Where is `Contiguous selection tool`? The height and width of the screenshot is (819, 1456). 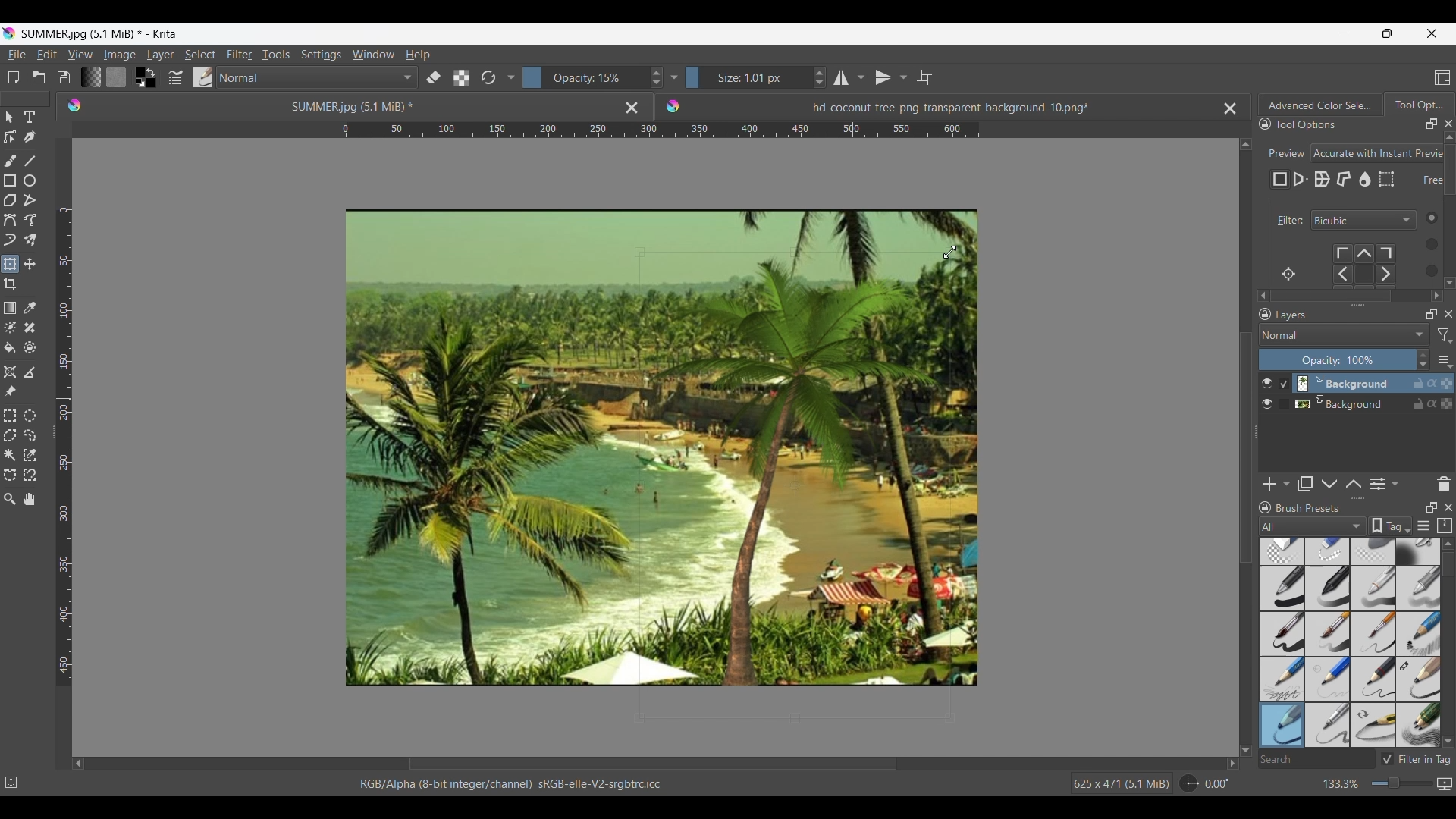
Contiguous selection tool is located at coordinates (10, 455).